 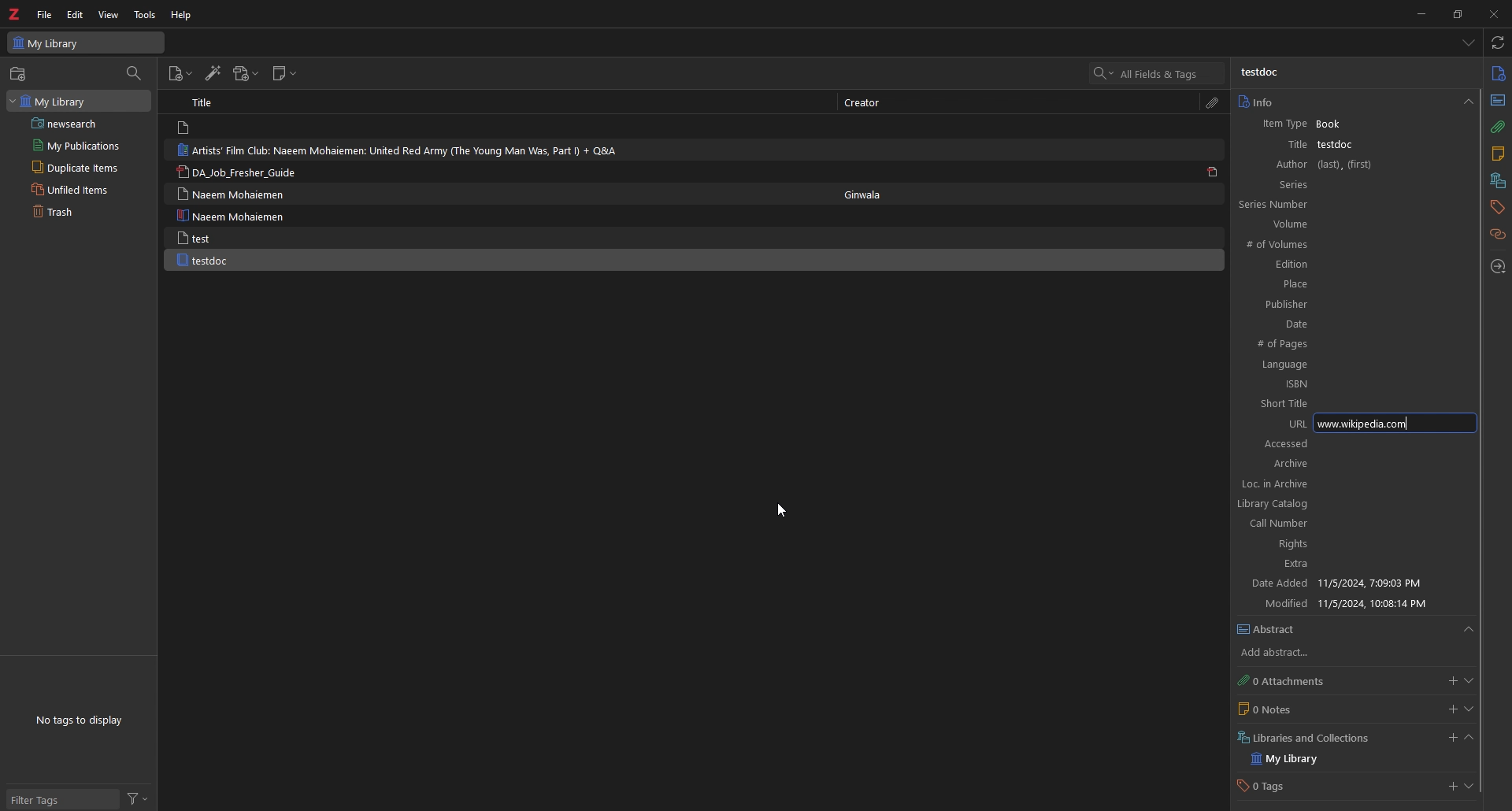 What do you see at coordinates (1292, 761) in the screenshot?
I see `my library` at bounding box center [1292, 761].